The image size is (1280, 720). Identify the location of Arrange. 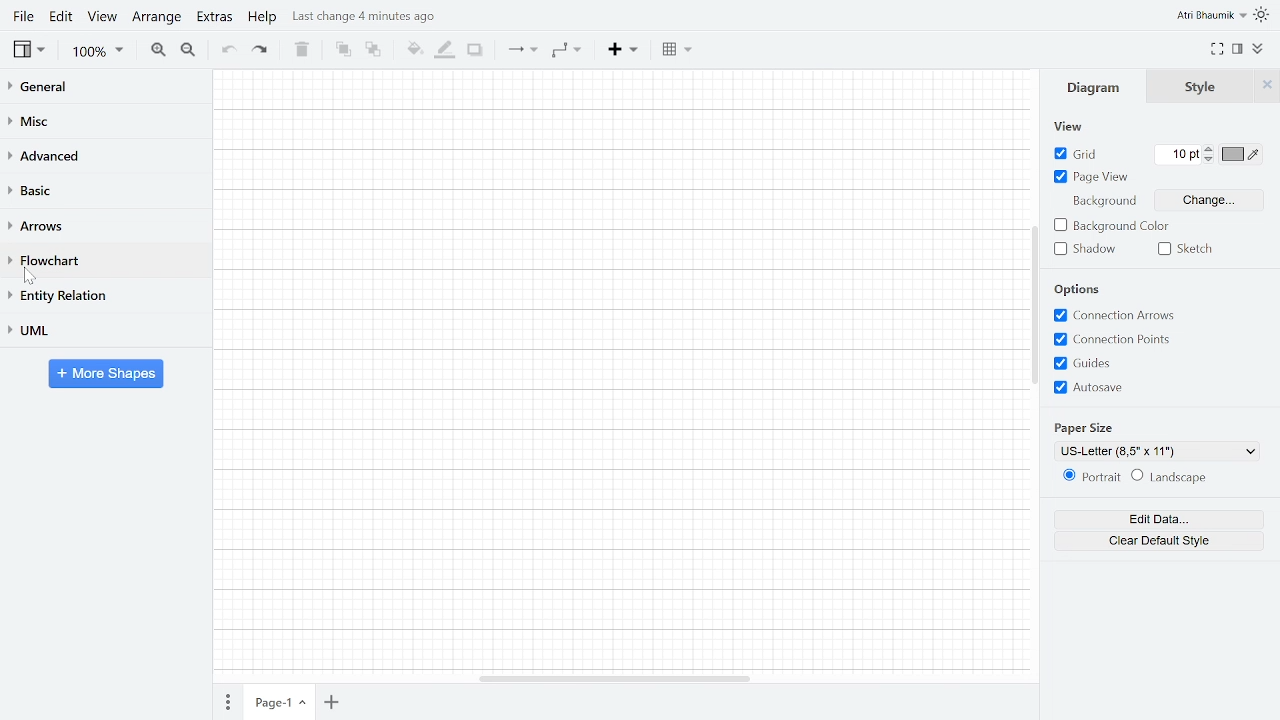
(157, 19).